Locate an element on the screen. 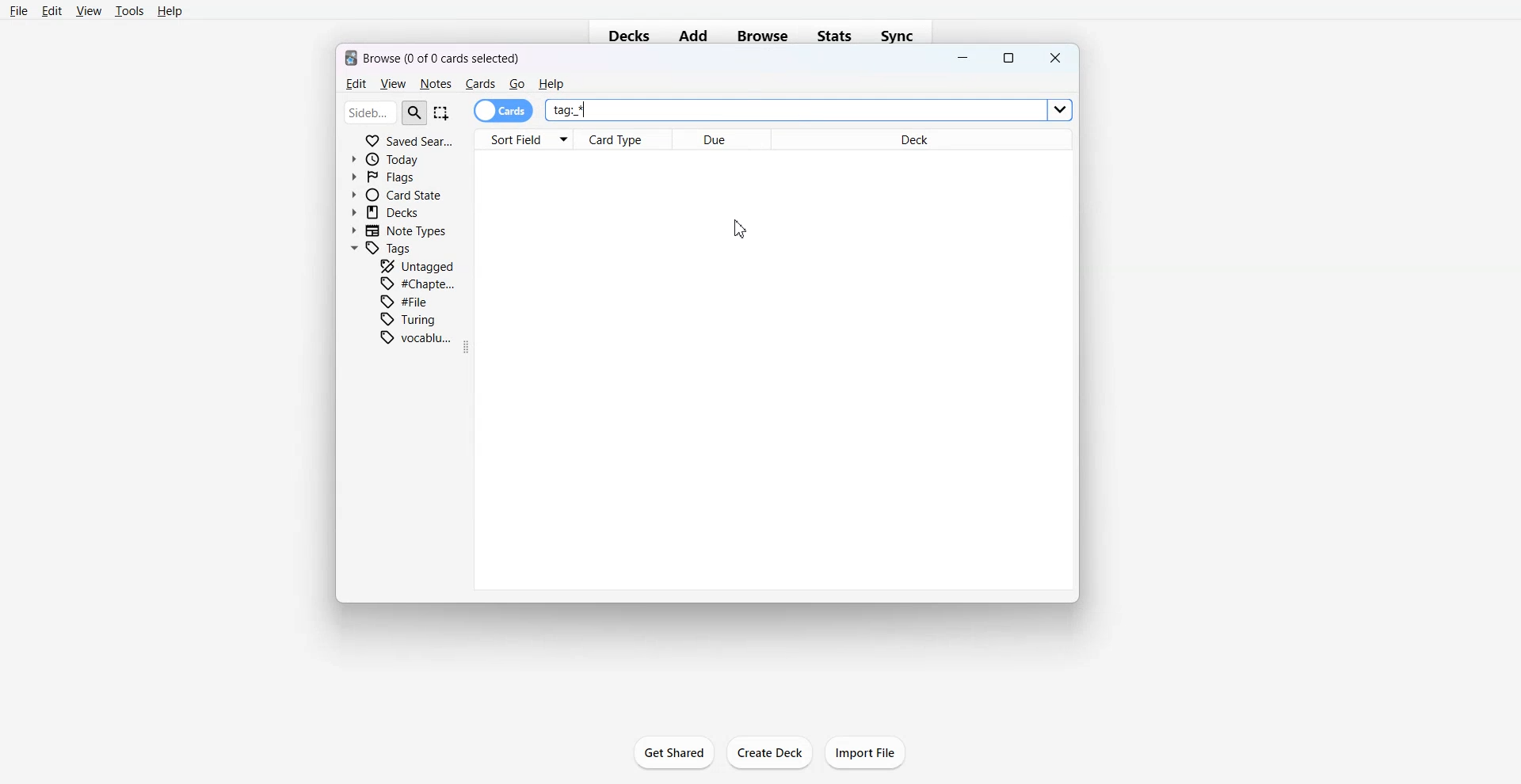  Card State is located at coordinates (395, 194).